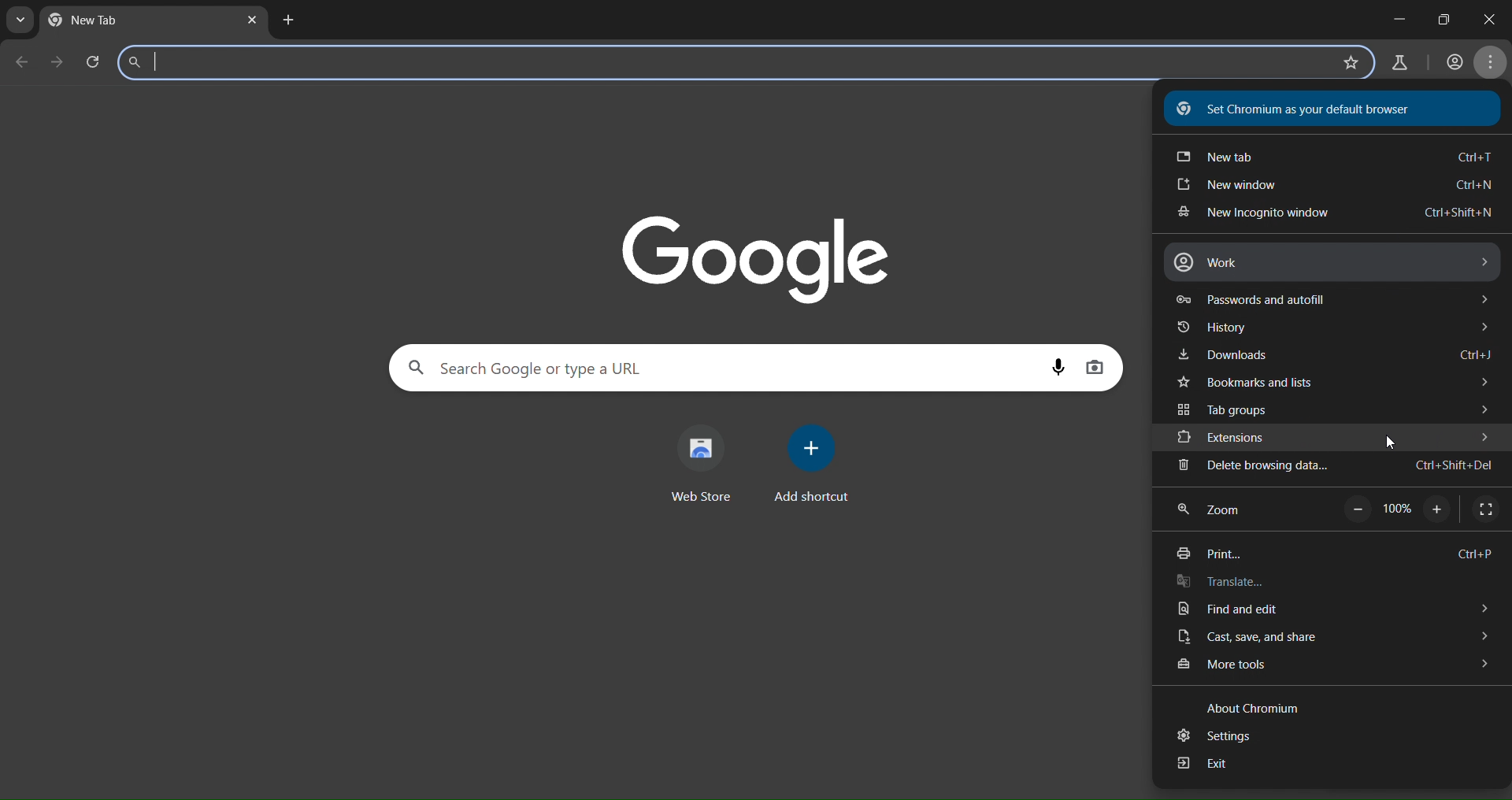 The width and height of the screenshot is (1512, 800). What do you see at coordinates (252, 20) in the screenshot?
I see `close tab` at bounding box center [252, 20].